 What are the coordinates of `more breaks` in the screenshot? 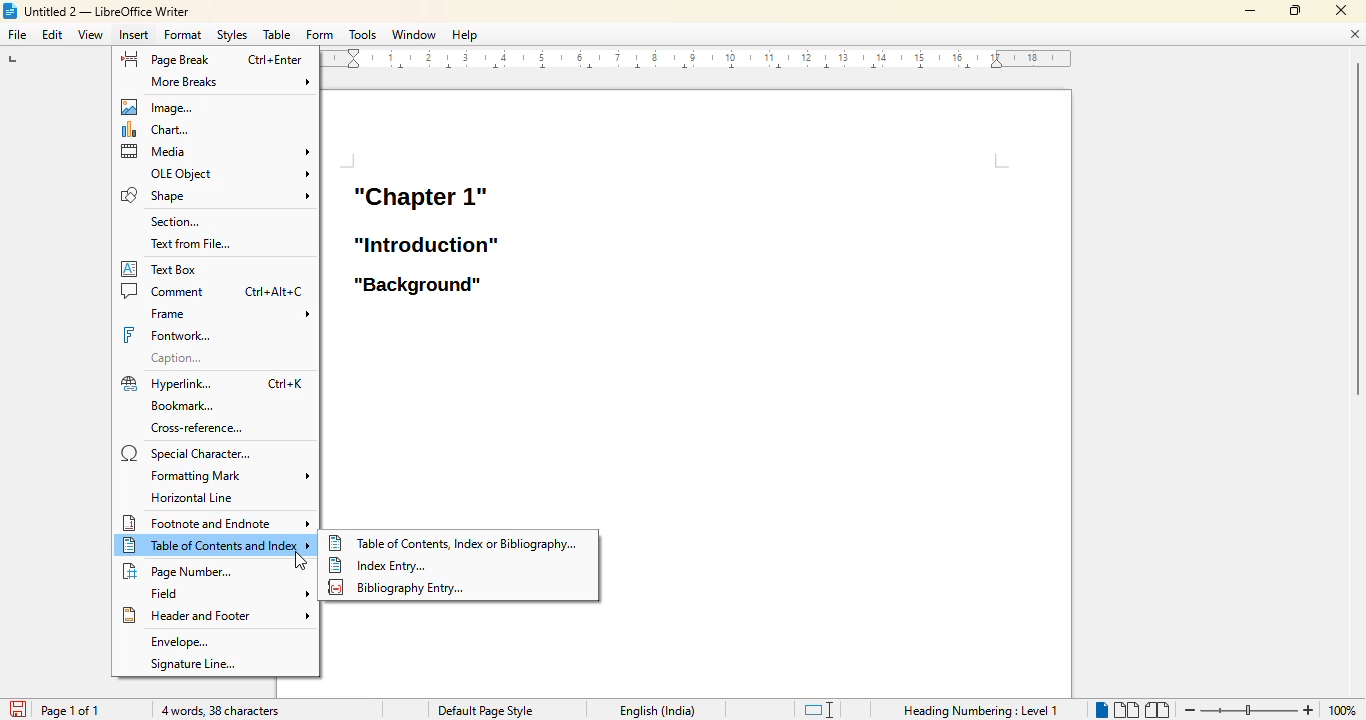 It's located at (231, 82).